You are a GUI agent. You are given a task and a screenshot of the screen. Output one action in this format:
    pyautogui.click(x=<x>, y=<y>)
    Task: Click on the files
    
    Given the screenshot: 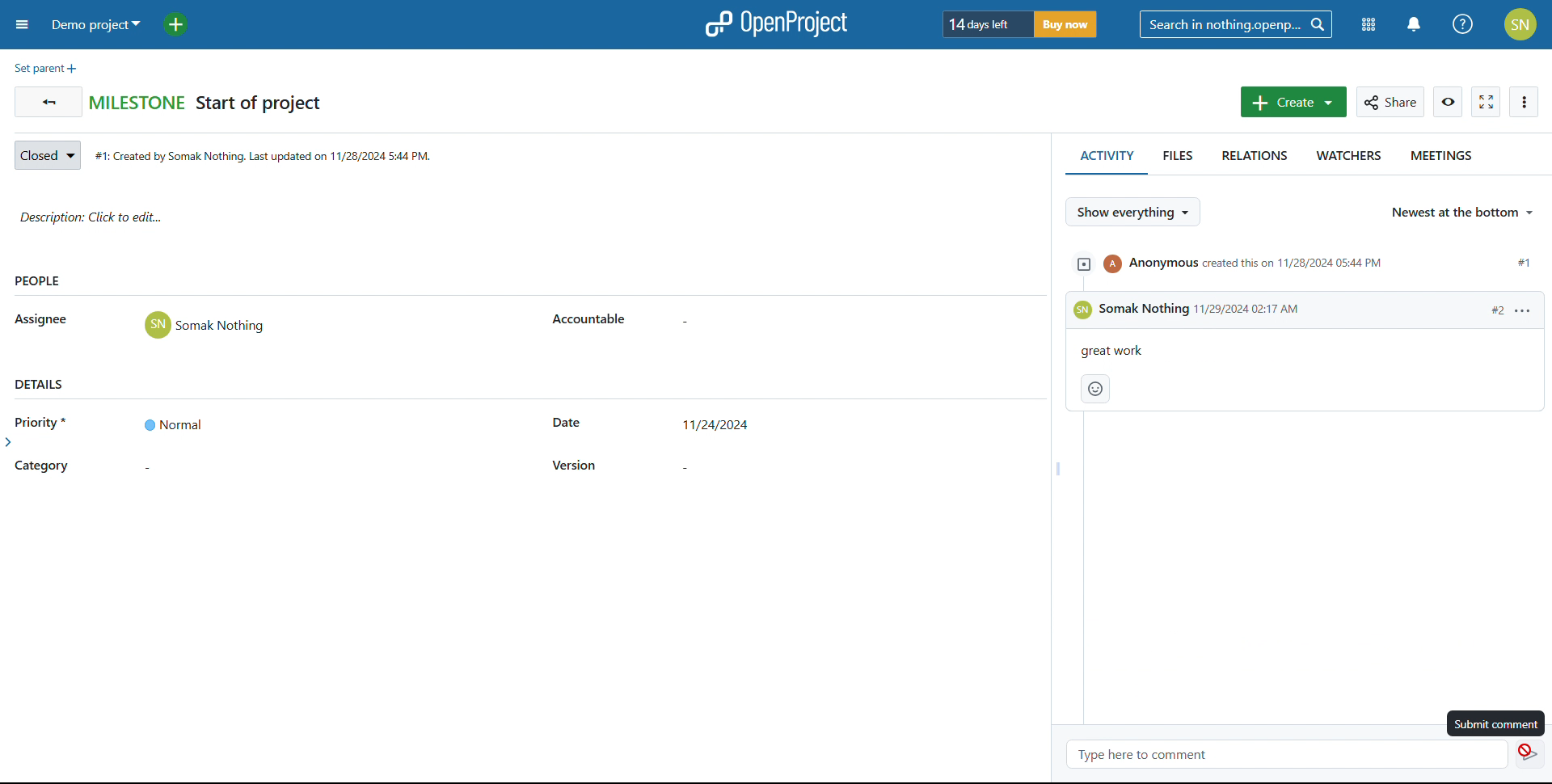 What is the action you would take?
    pyautogui.click(x=1175, y=161)
    